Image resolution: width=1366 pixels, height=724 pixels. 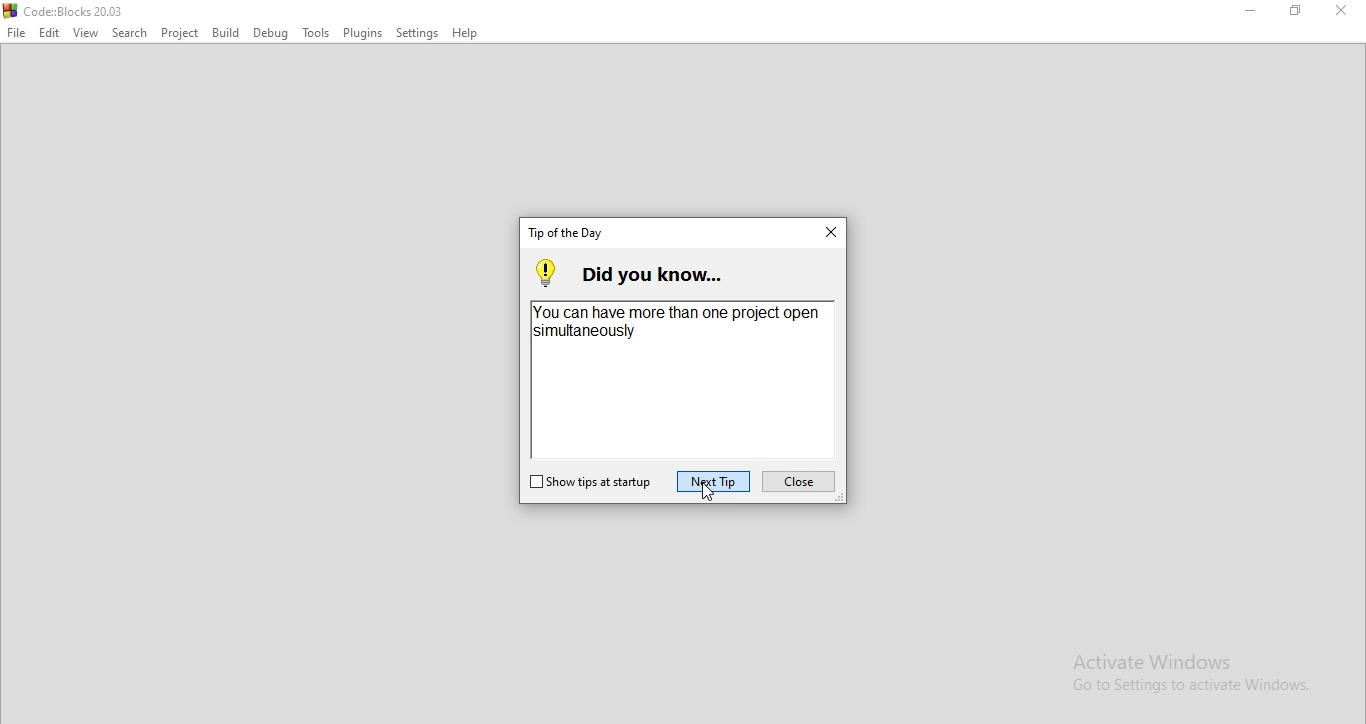 I want to click on Project , so click(x=178, y=33).